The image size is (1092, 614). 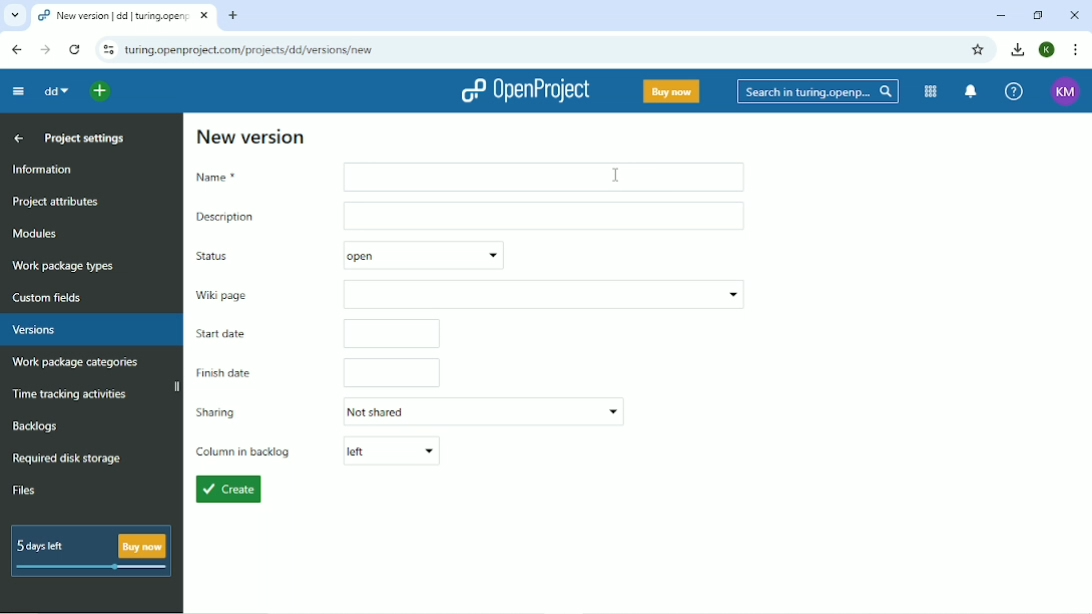 What do you see at coordinates (250, 50) in the screenshot?
I see `Site` at bounding box center [250, 50].